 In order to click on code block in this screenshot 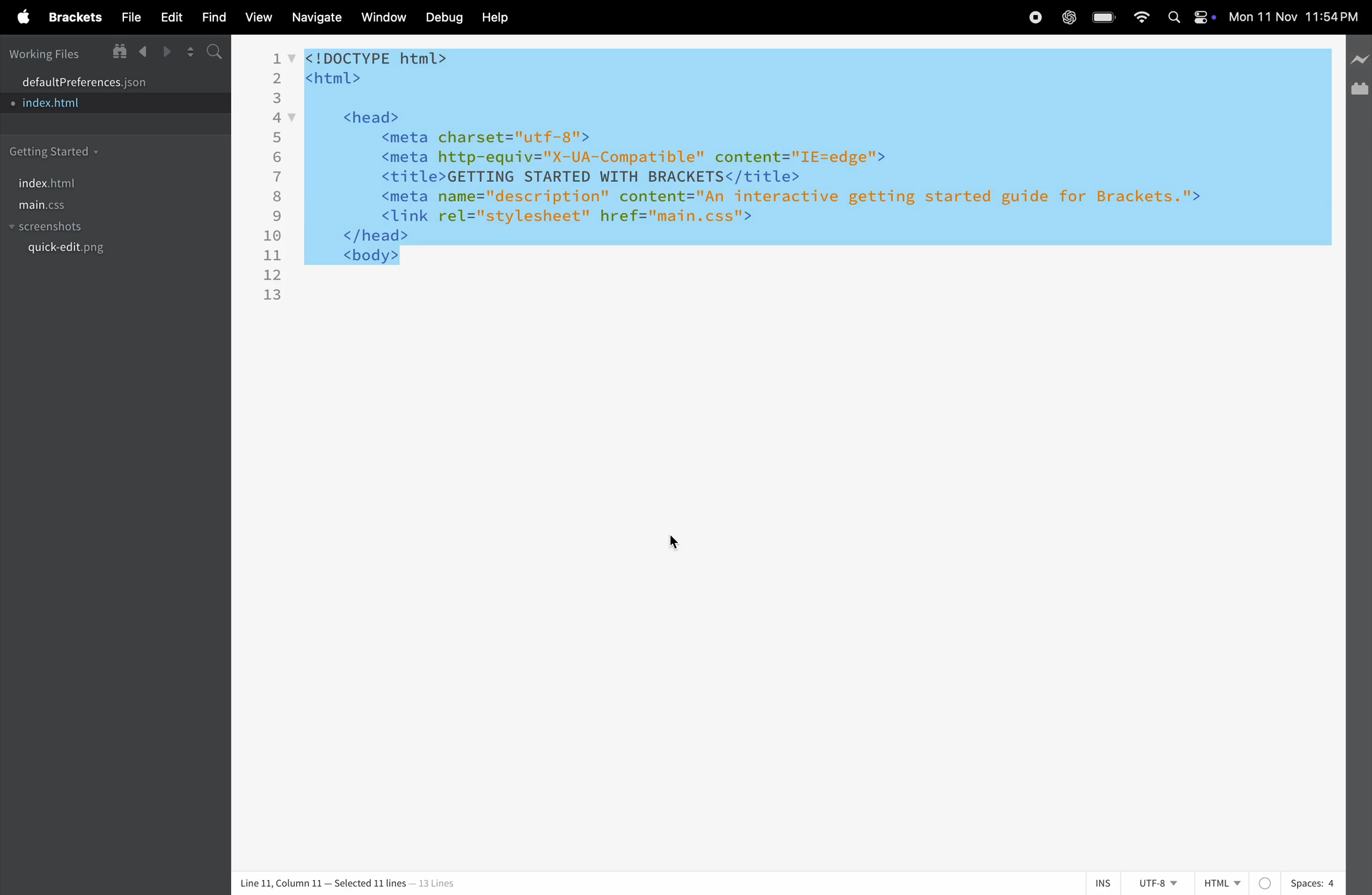, I will do `click(787, 174)`.